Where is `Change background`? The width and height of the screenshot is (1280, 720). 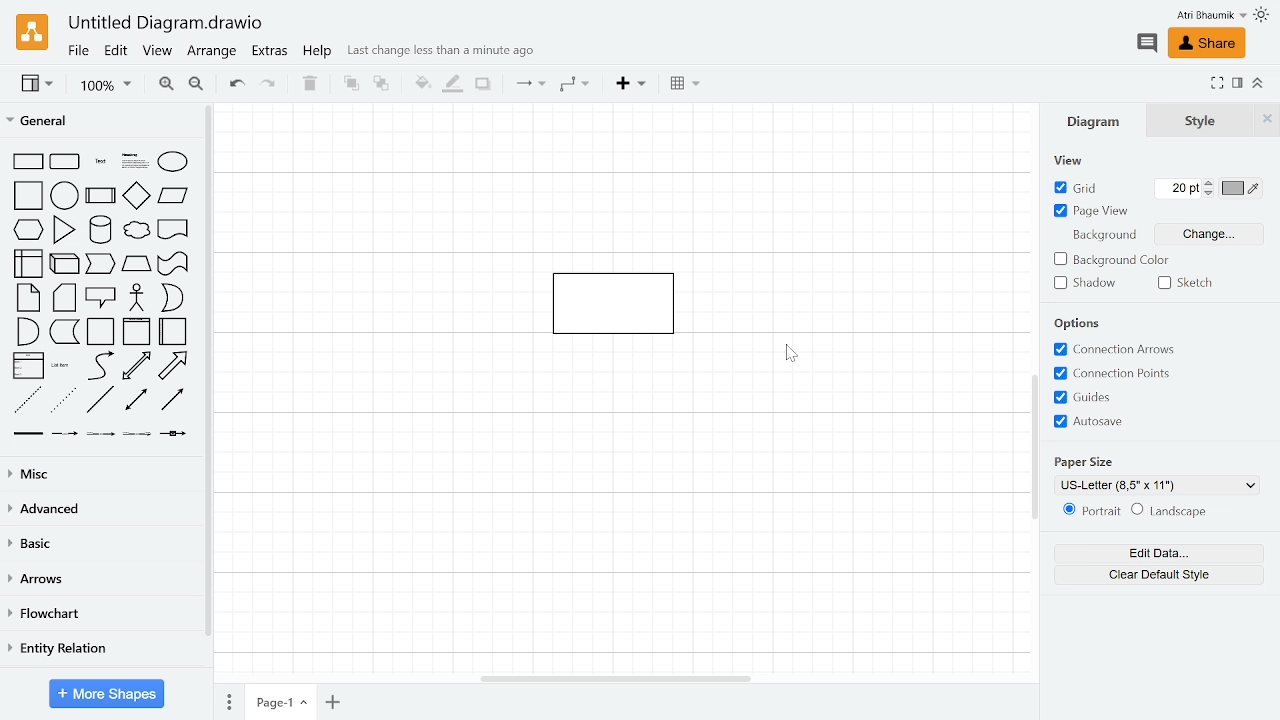 Change background is located at coordinates (1208, 234).